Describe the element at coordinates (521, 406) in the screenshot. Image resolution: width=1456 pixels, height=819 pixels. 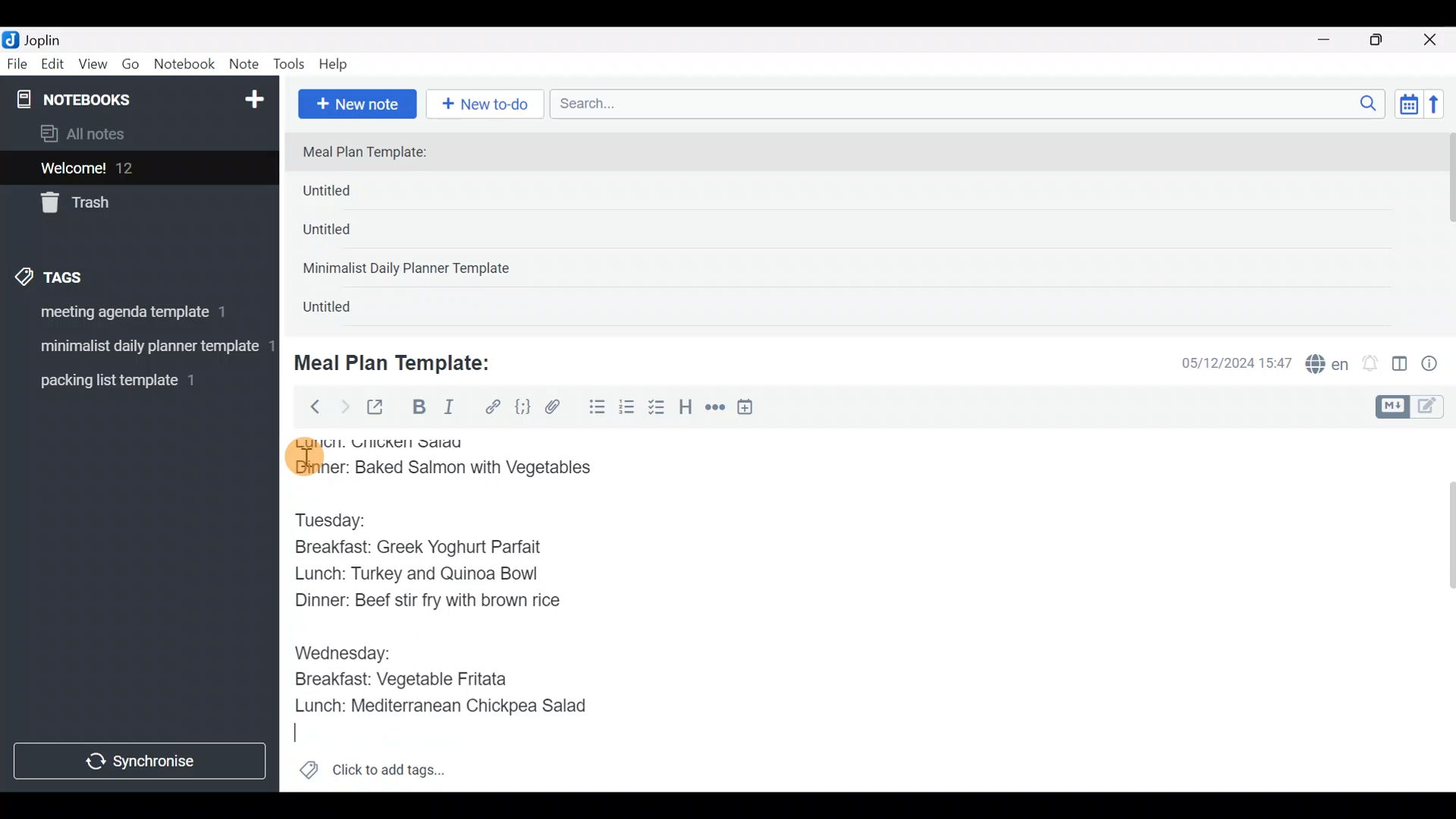
I see `Code` at that location.